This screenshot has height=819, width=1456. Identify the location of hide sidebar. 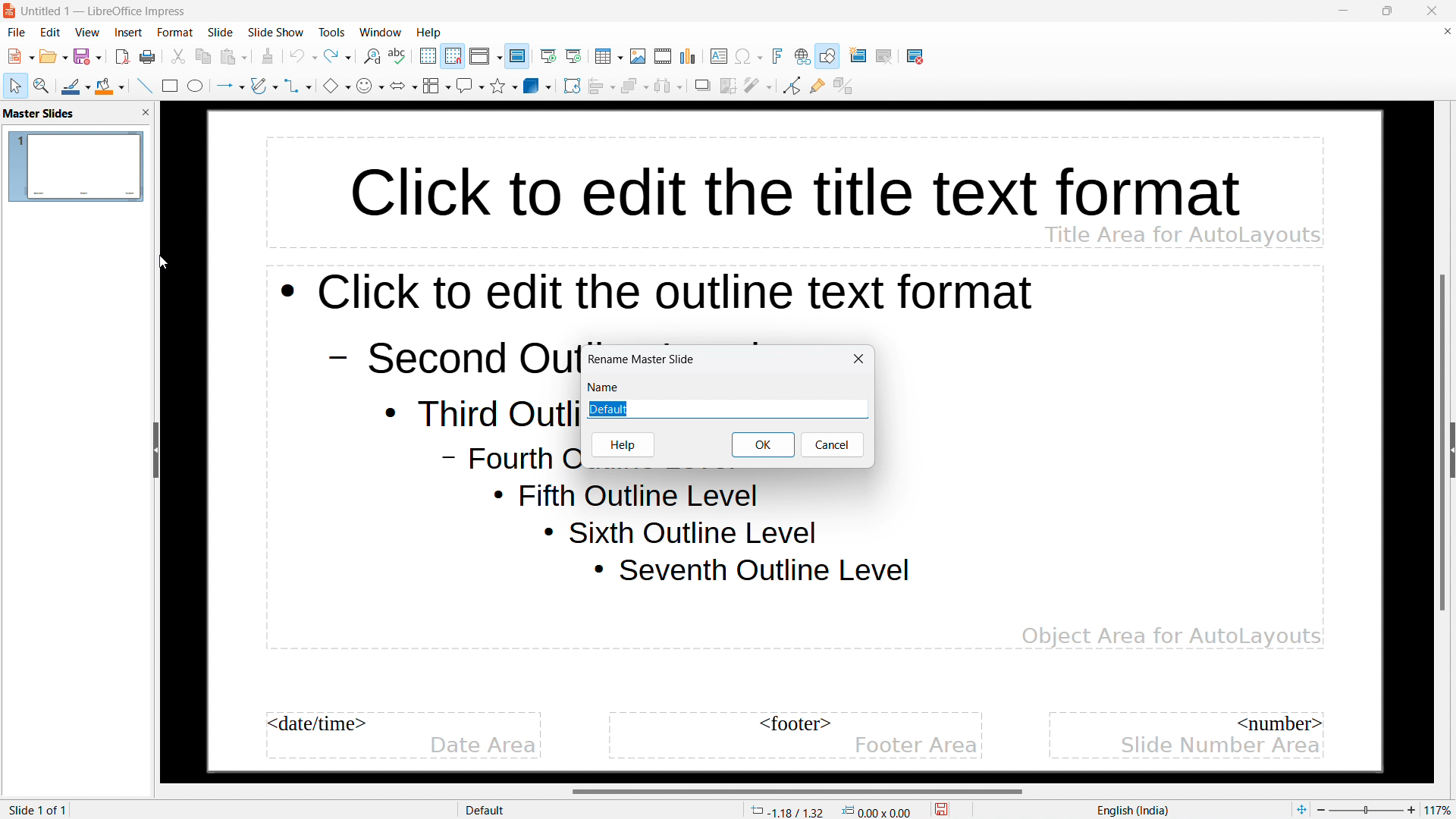
(155, 450).